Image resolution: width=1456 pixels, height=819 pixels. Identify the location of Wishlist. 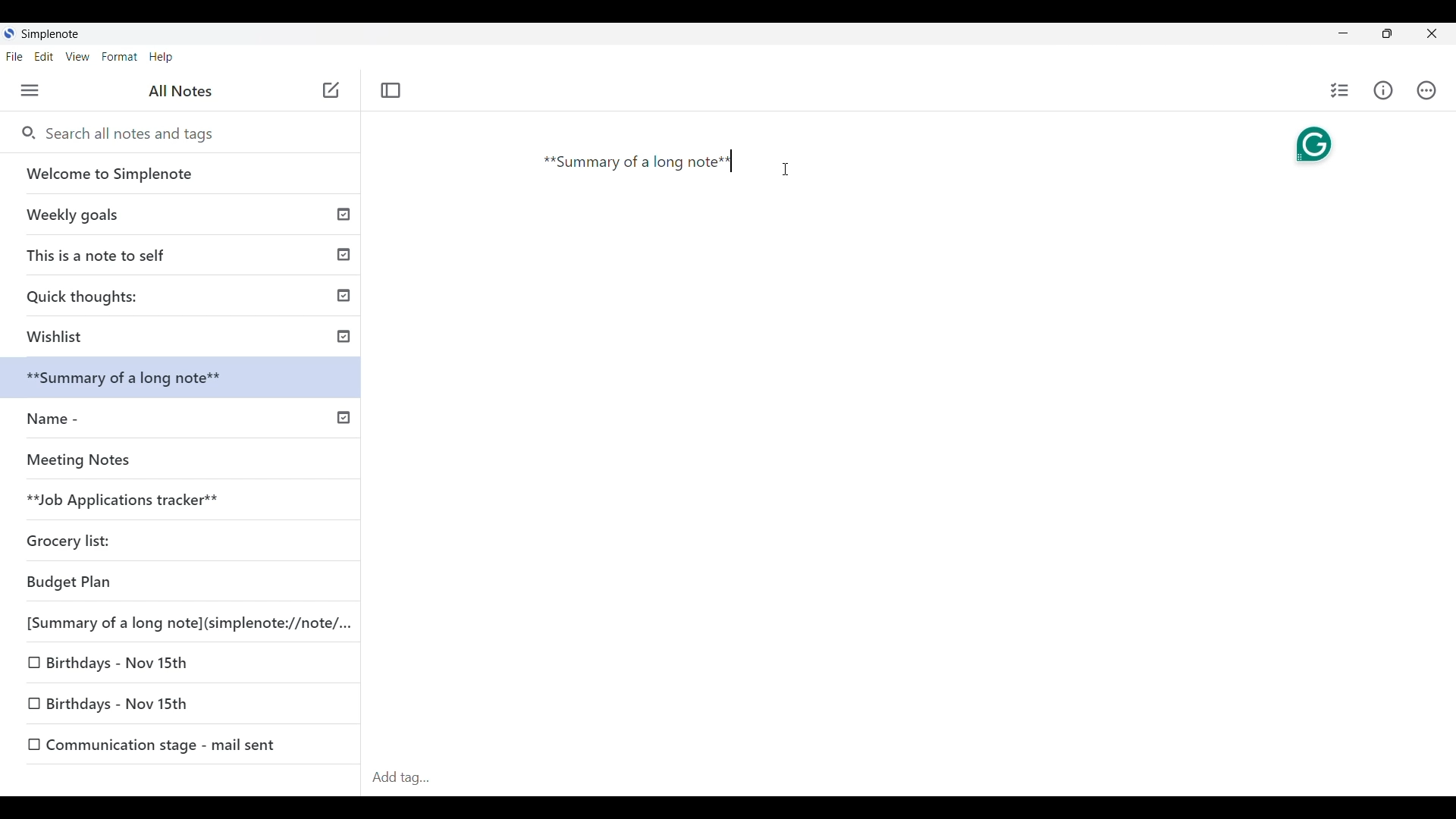
(184, 335).